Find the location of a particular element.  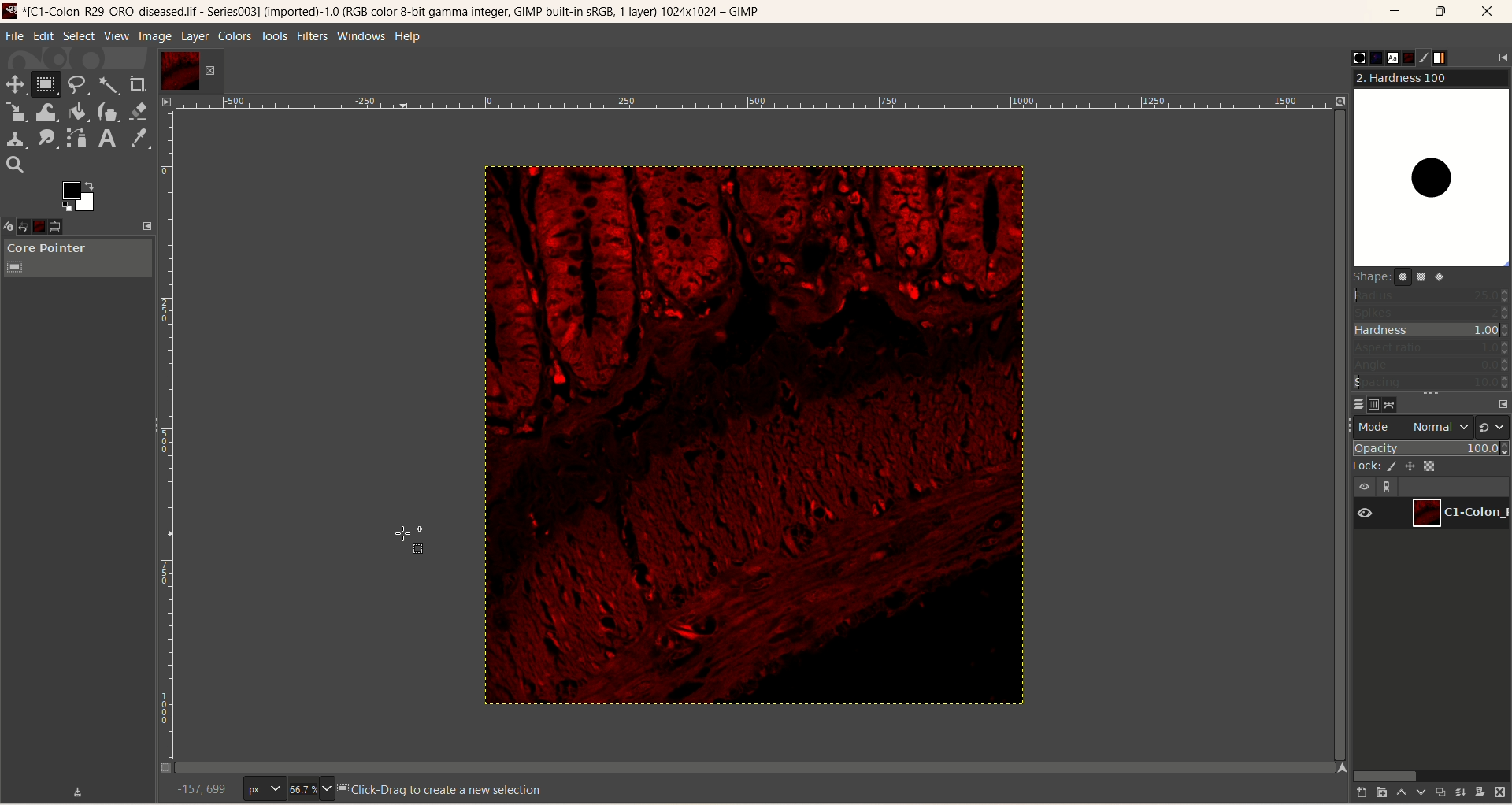

close is located at coordinates (1489, 12).